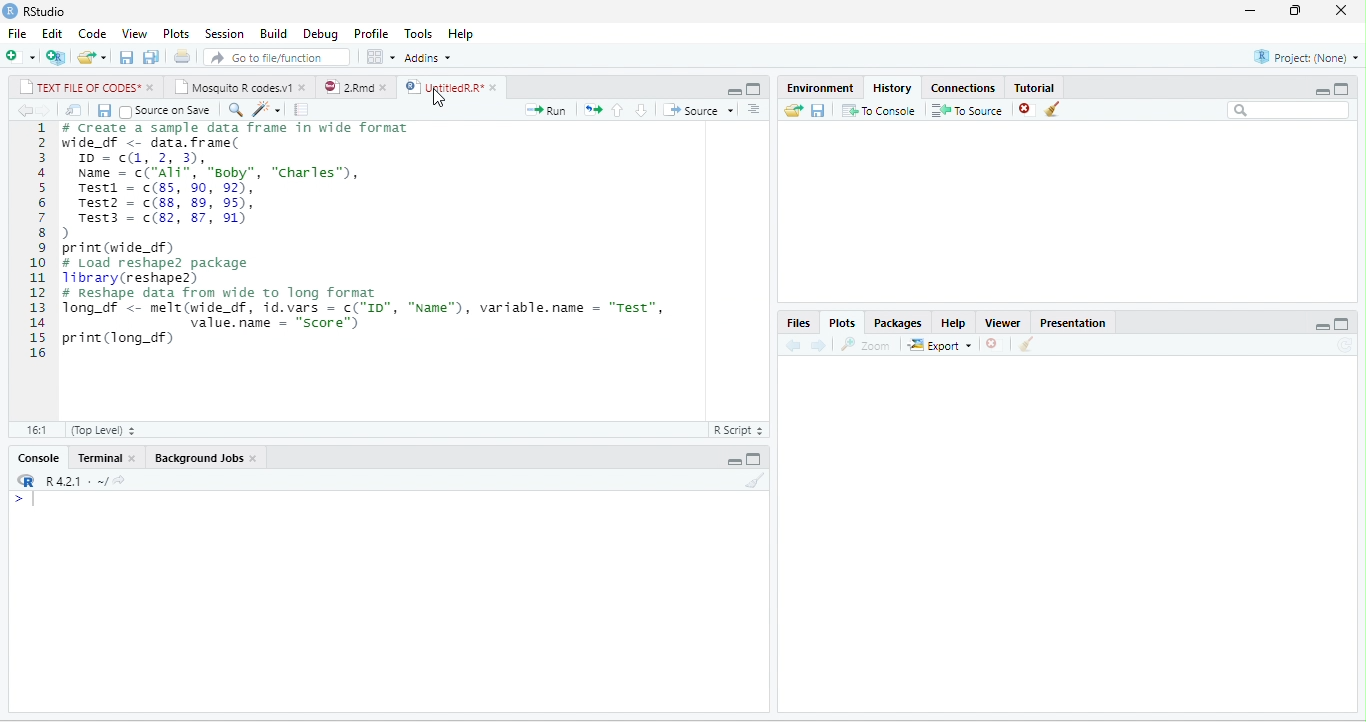  Describe the element at coordinates (1295, 11) in the screenshot. I see `resize` at that location.